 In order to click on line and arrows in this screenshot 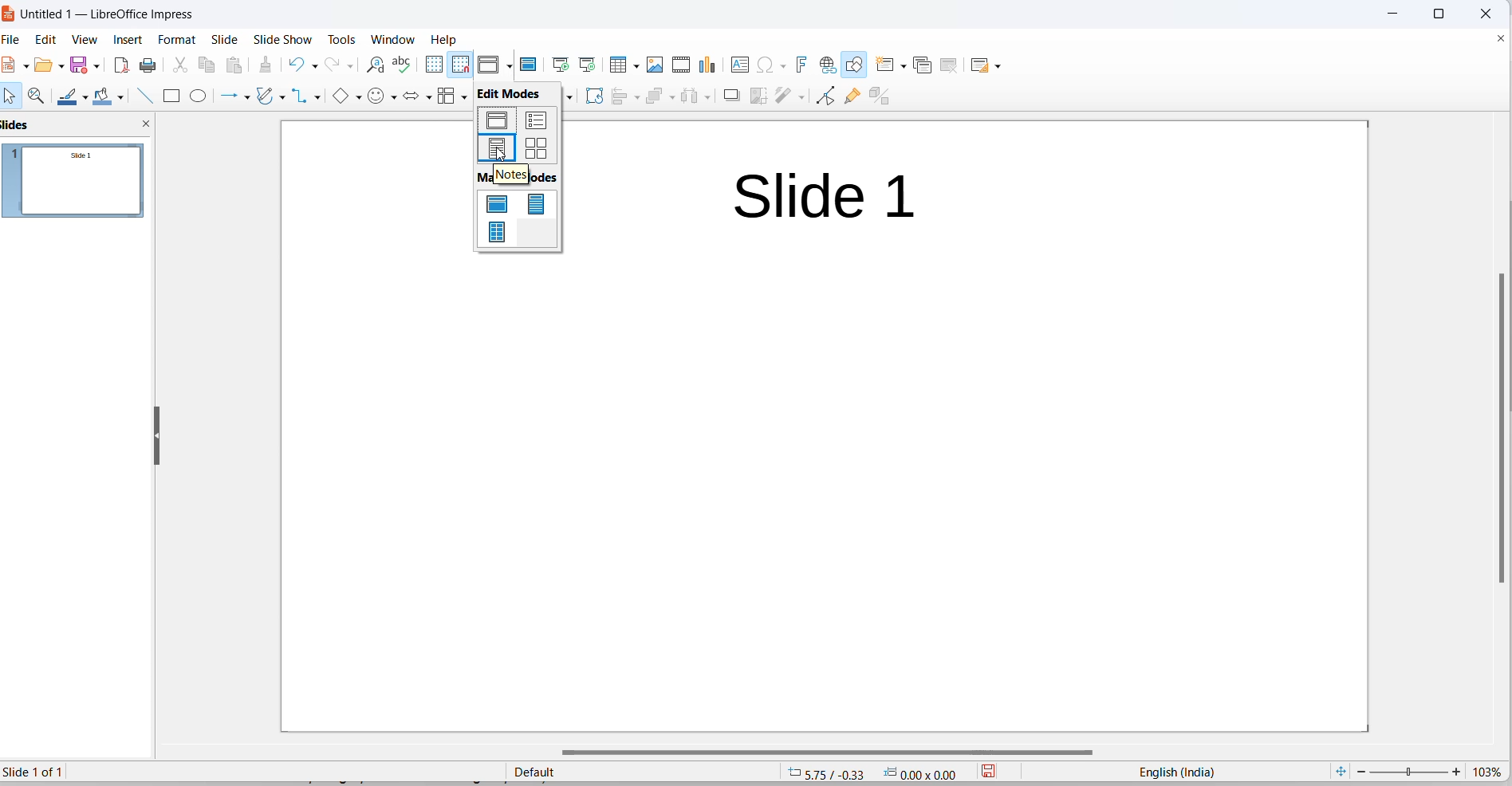, I will do `click(229, 97)`.